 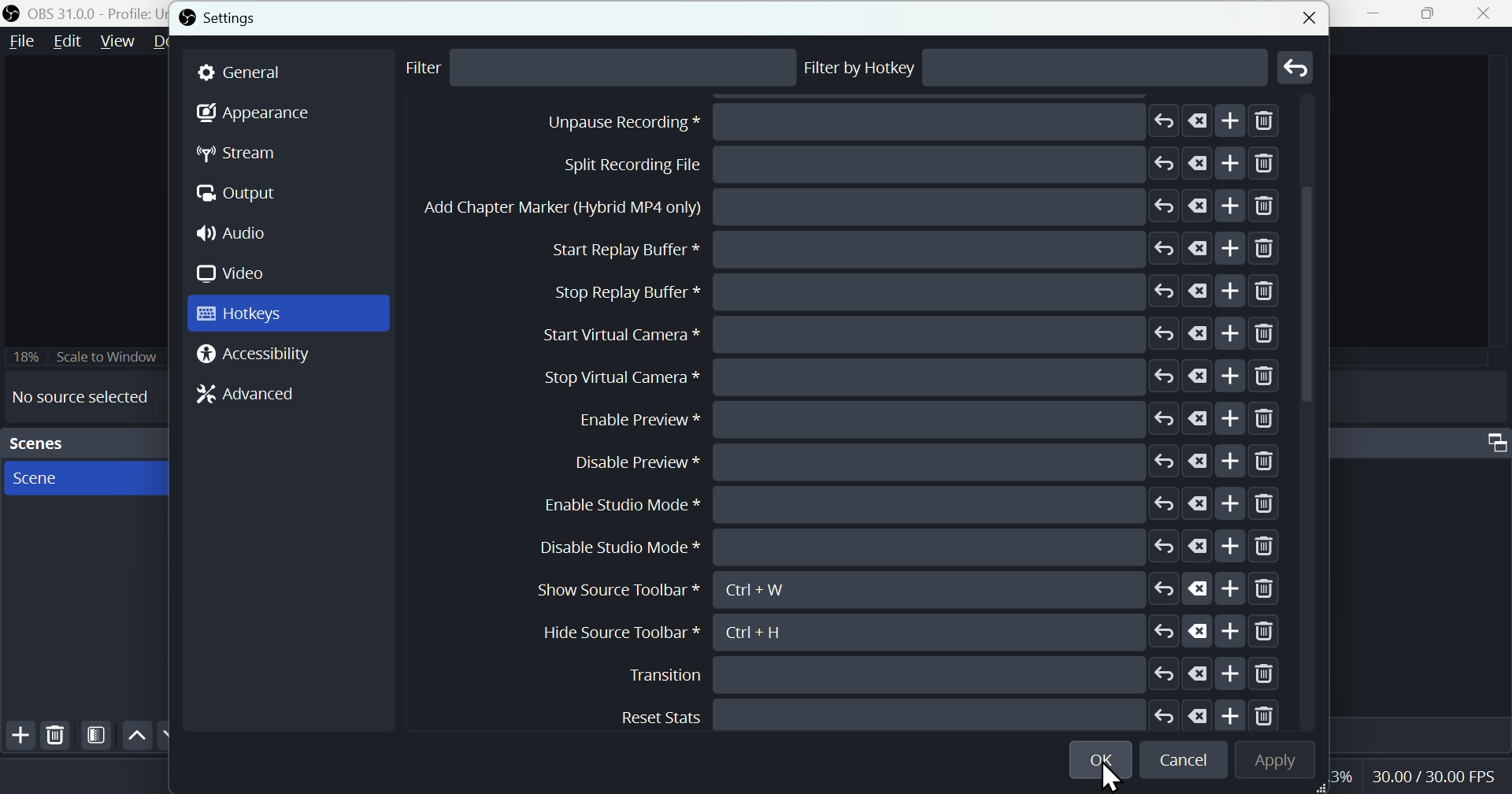 I want to click on Scenes, so click(x=82, y=443).